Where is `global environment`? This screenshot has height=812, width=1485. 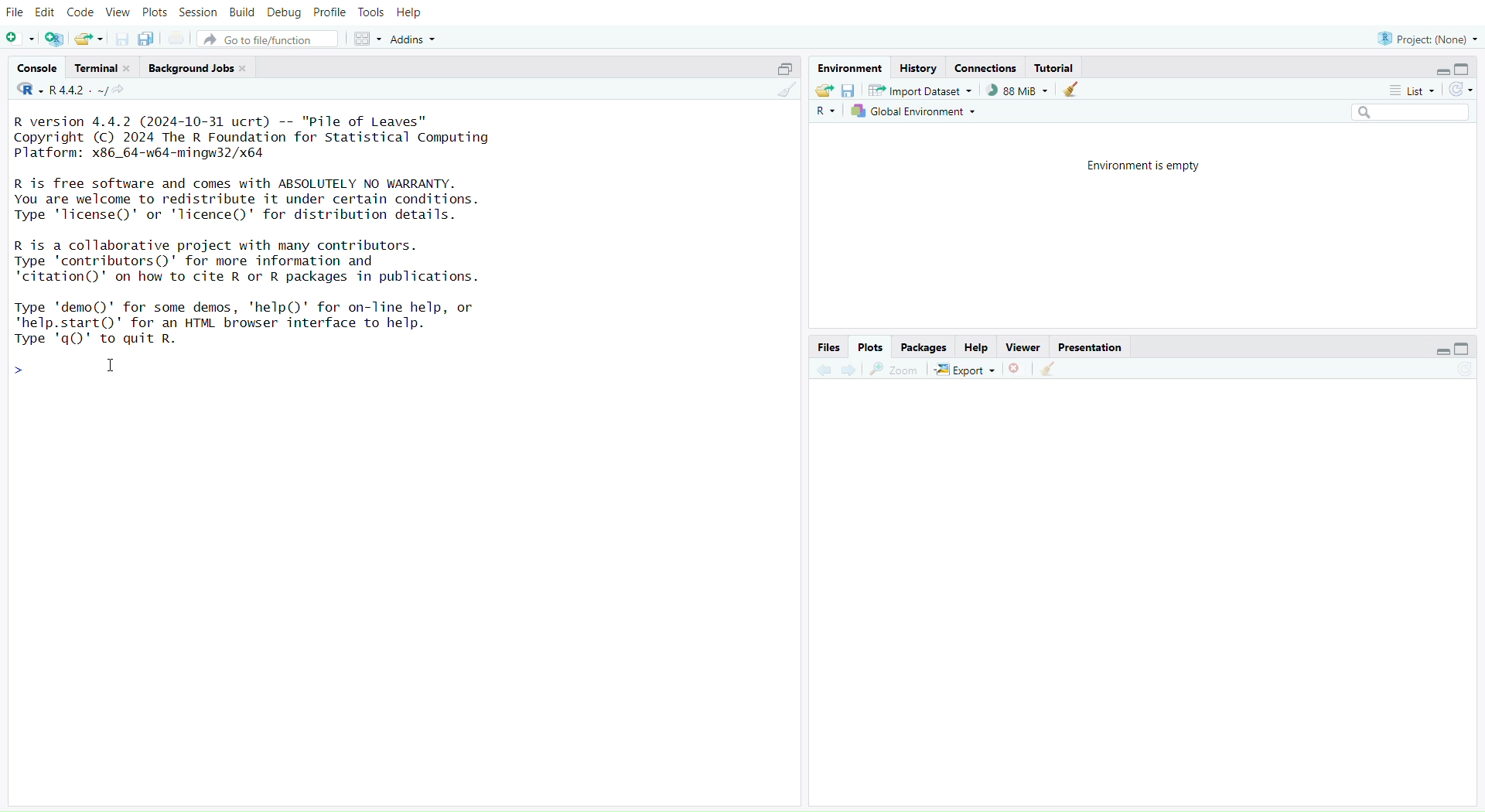
global environment is located at coordinates (917, 113).